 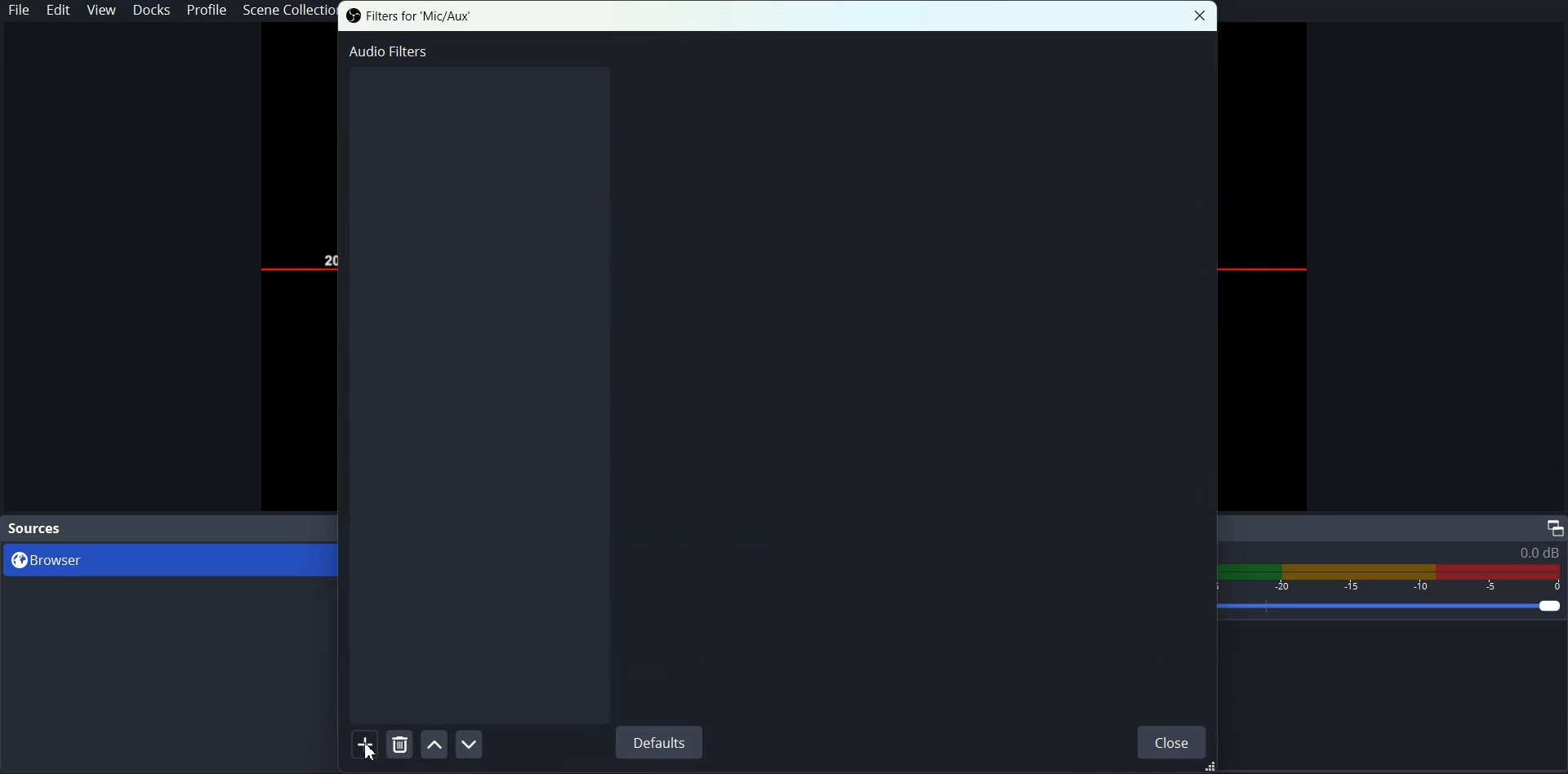 I want to click on View, so click(x=101, y=11).